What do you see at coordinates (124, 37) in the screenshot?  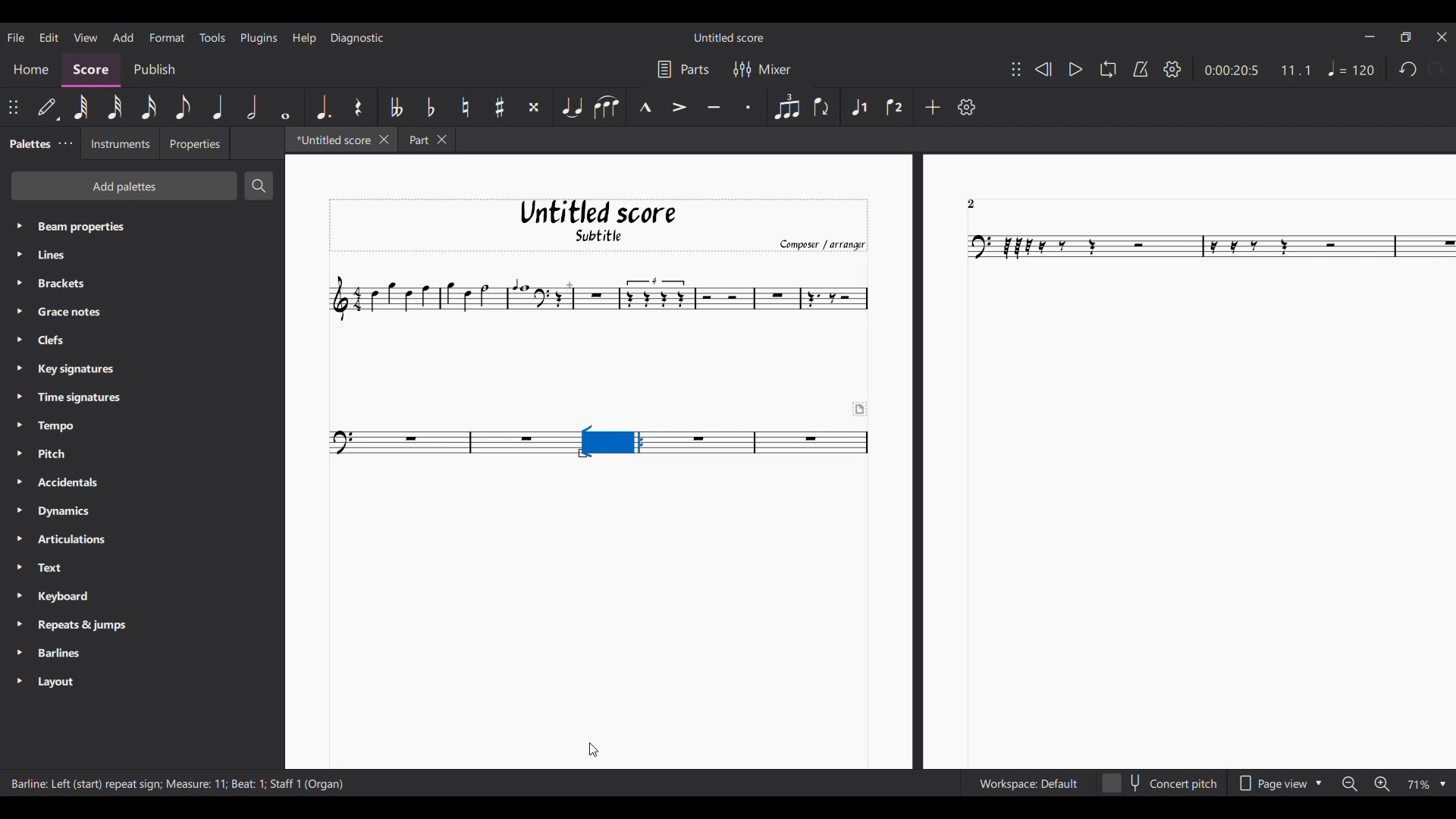 I see `Add menu` at bounding box center [124, 37].